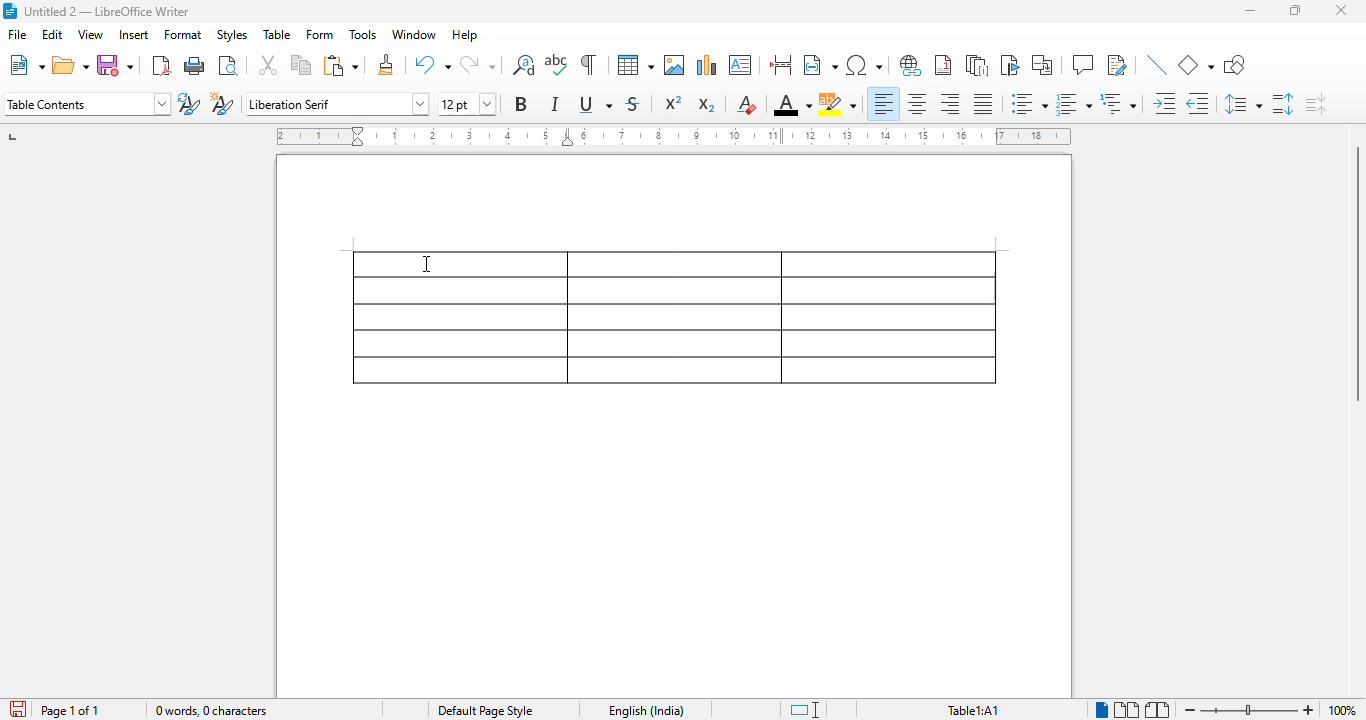  Describe the element at coordinates (633, 105) in the screenshot. I see `strikethrough` at that location.